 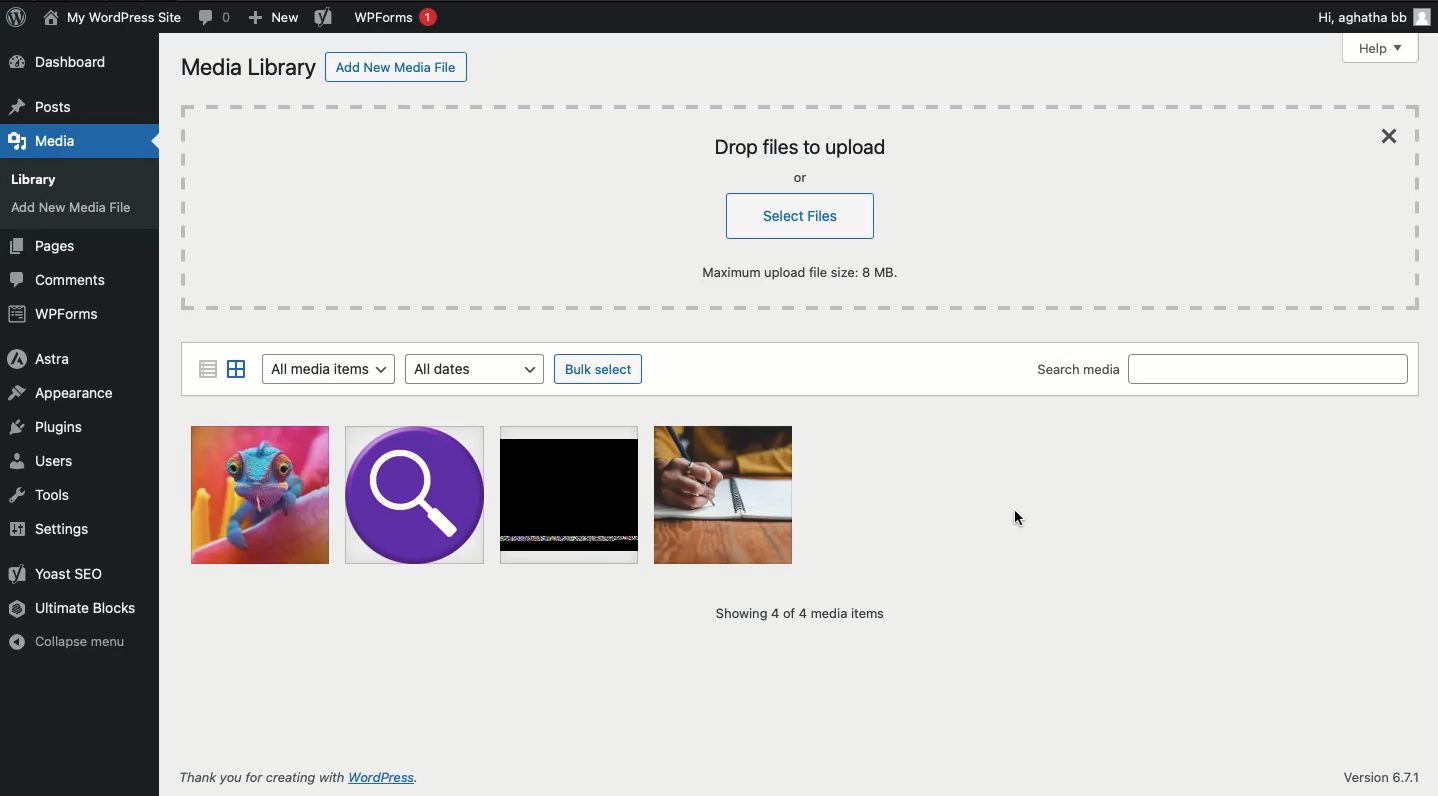 I want to click on Image added, so click(x=260, y=493).